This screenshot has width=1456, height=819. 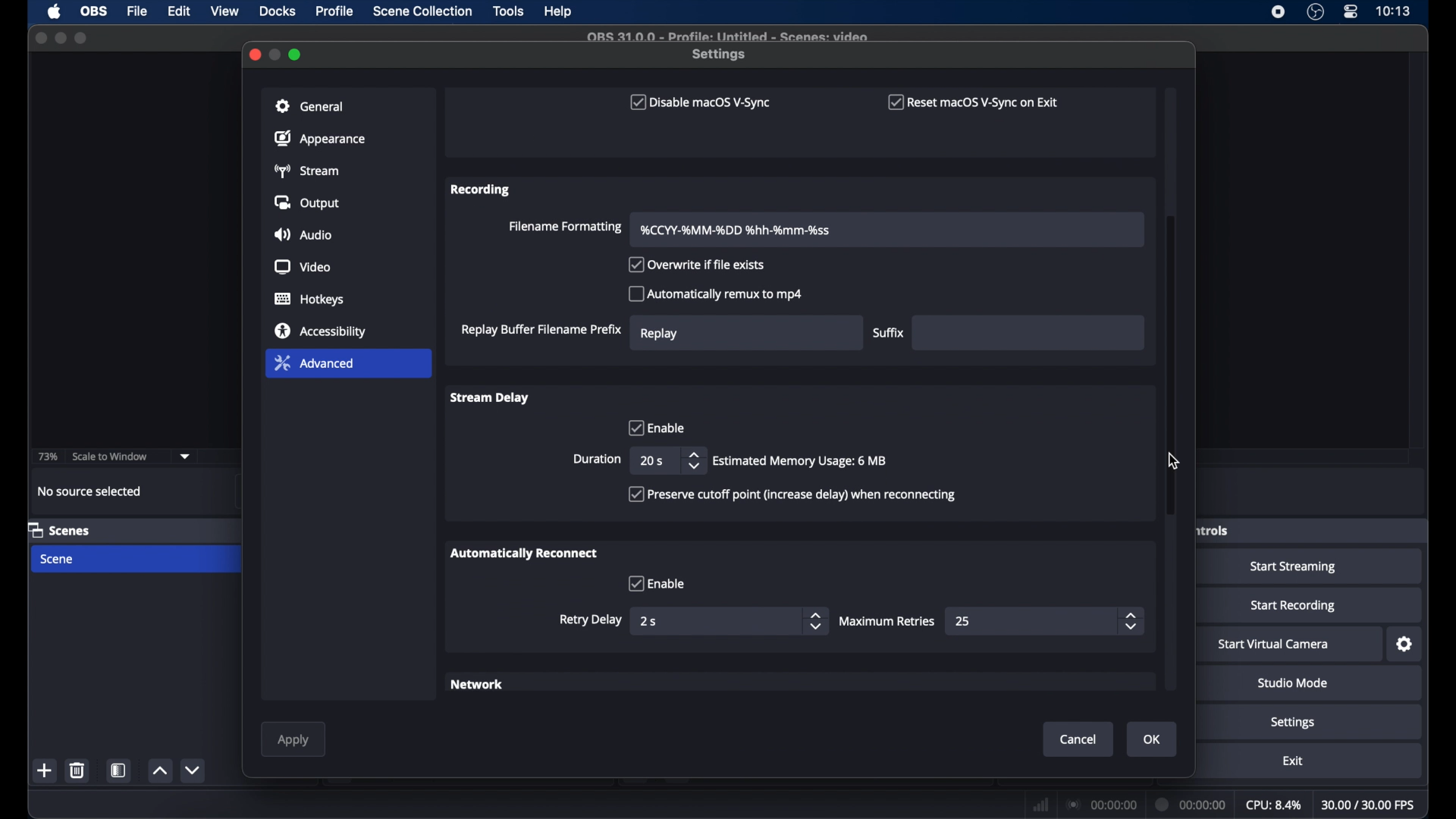 I want to click on profile, so click(x=336, y=11).